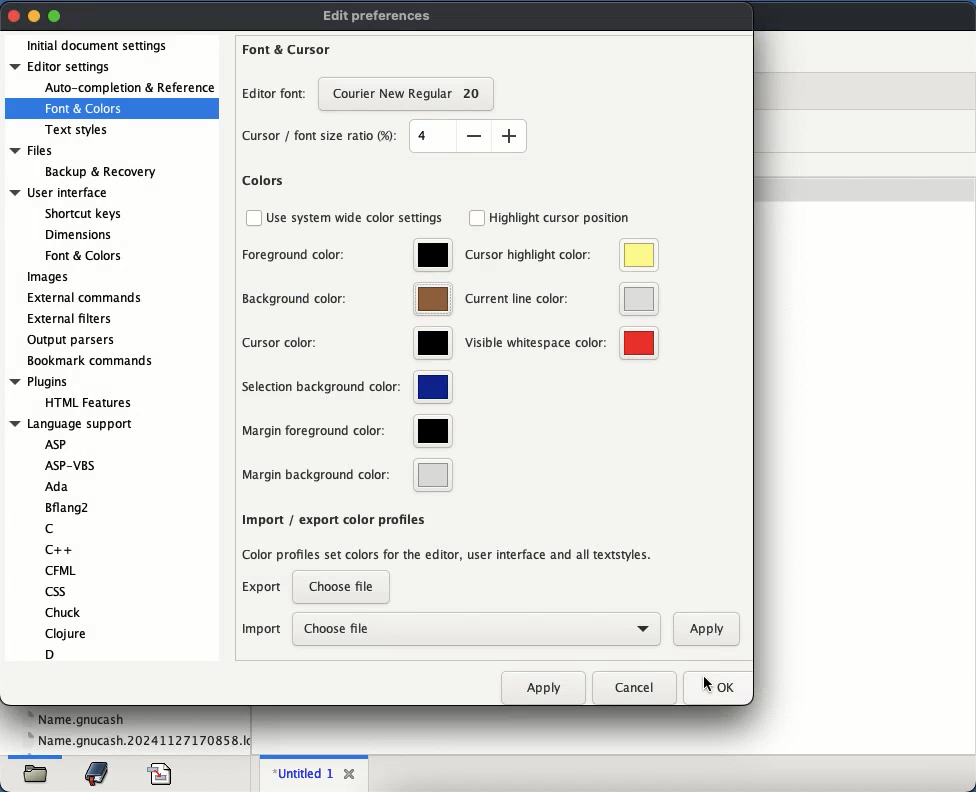 This screenshot has height=792, width=976. I want to click on cancel, so click(637, 686).